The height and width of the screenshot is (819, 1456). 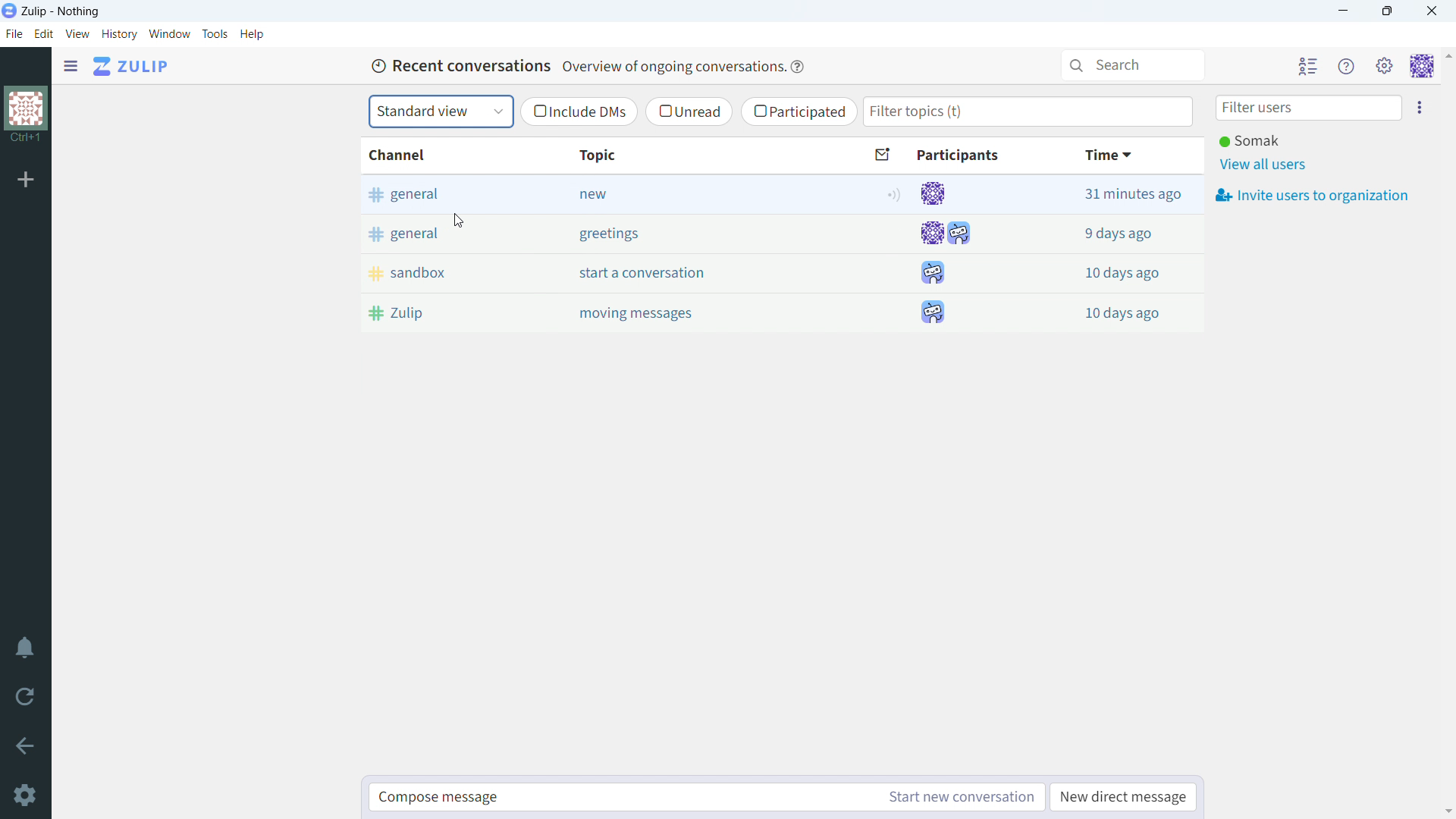 What do you see at coordinates (959, 797) in the screenshot?
I see `start new conversation` at bounding box center [959, 797].